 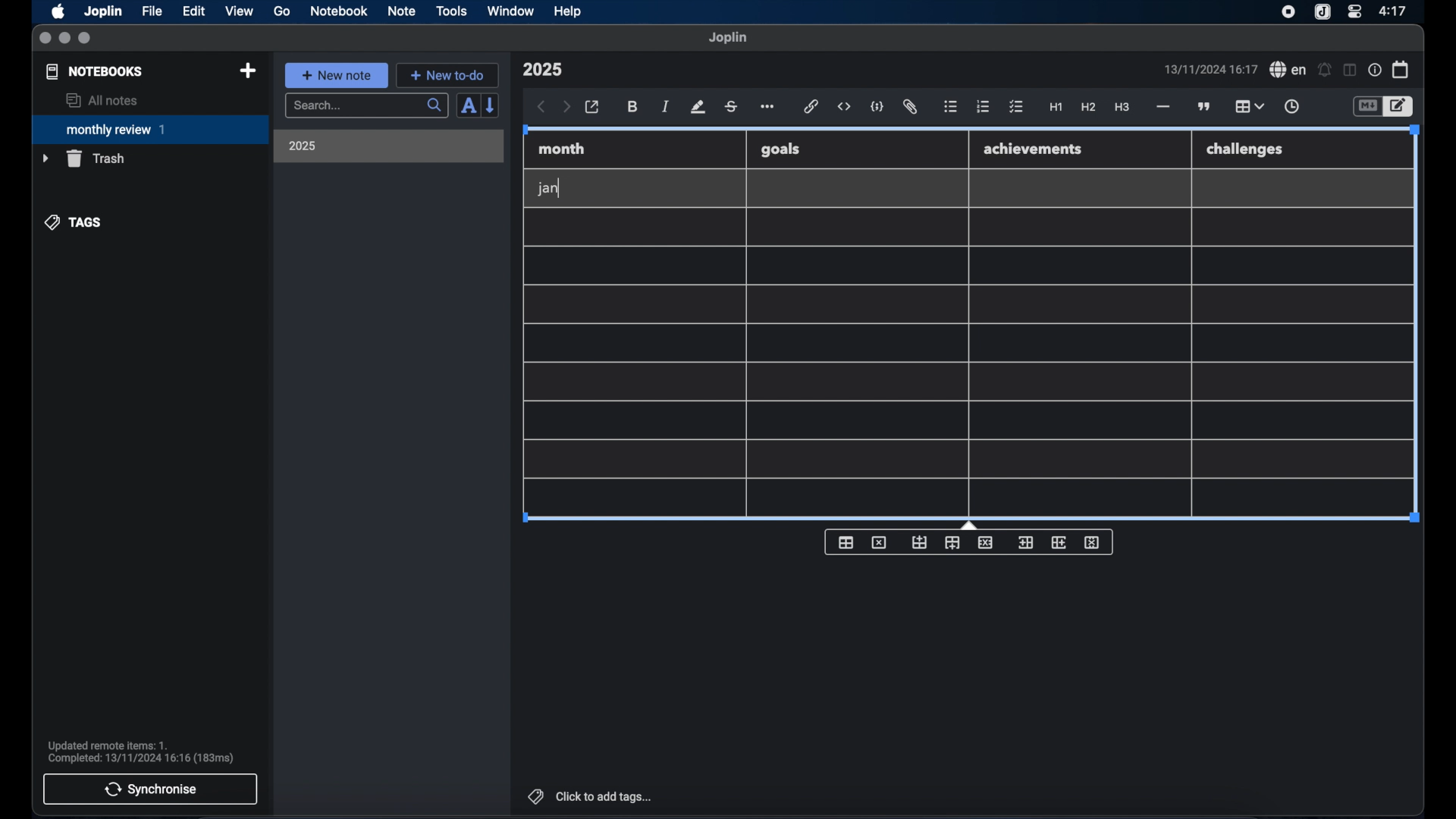 What do you see at coordinates (1395, 11) in the screenshot?
I see `time` at bounding box center [1395, 11].